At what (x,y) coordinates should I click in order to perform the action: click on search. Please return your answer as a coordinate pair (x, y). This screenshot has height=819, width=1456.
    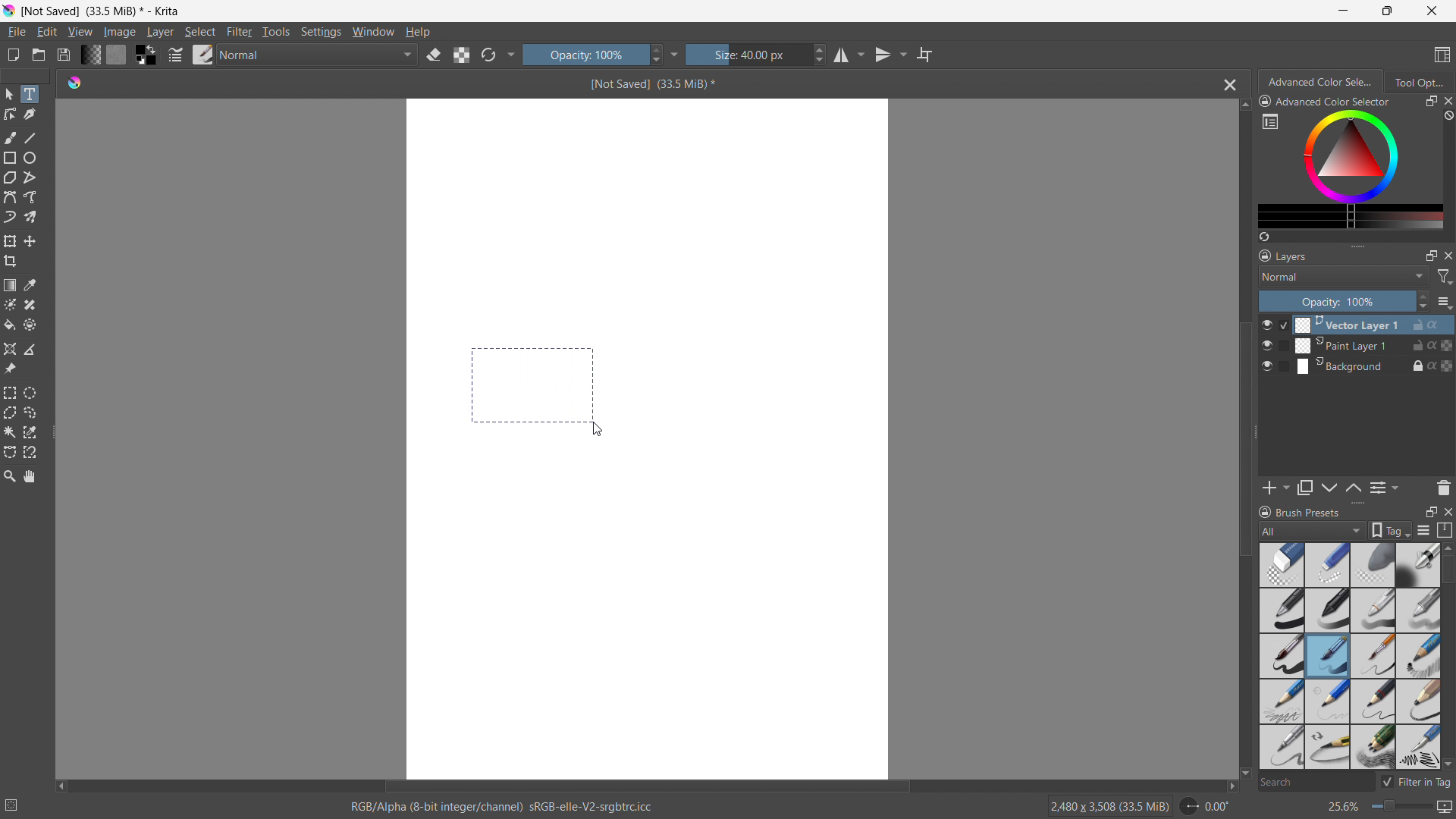
    Looking at the image, I should click on (1314, 783).